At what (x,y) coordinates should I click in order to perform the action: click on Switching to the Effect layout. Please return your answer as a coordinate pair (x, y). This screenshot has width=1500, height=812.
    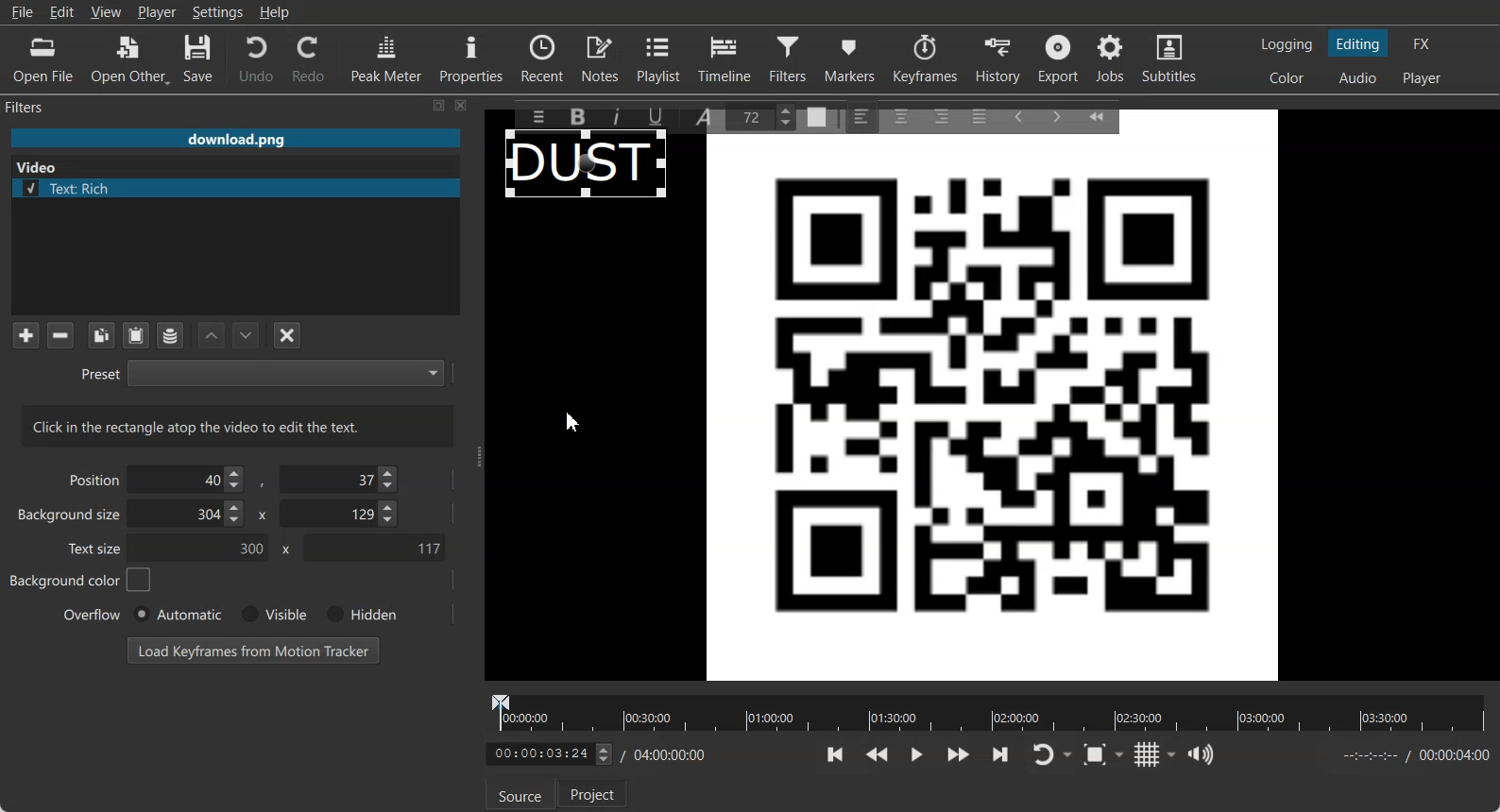
    Looking at the image, I should click on (1423, 43).